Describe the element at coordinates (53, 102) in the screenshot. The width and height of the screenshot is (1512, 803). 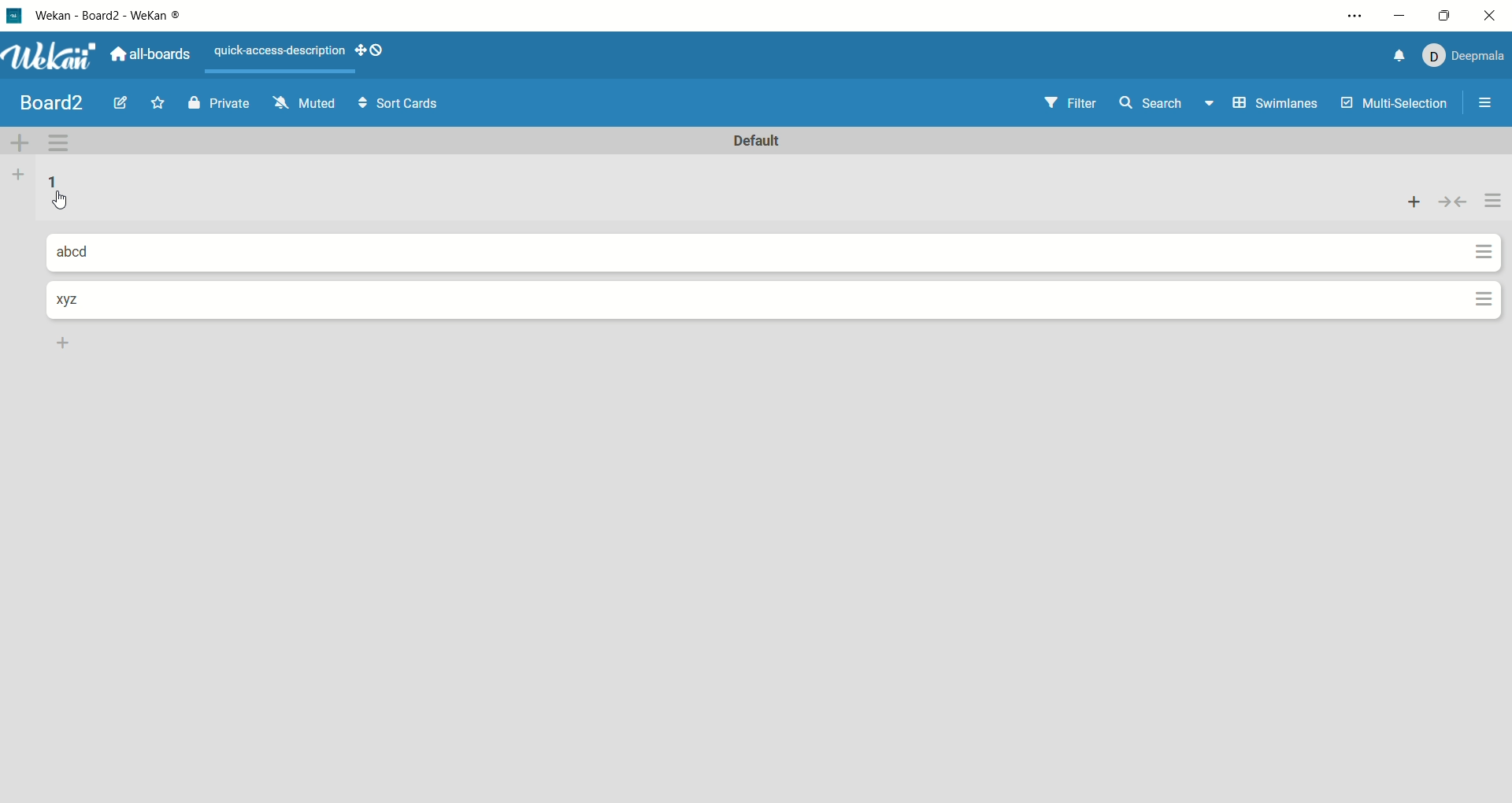
I see `title` at that location.